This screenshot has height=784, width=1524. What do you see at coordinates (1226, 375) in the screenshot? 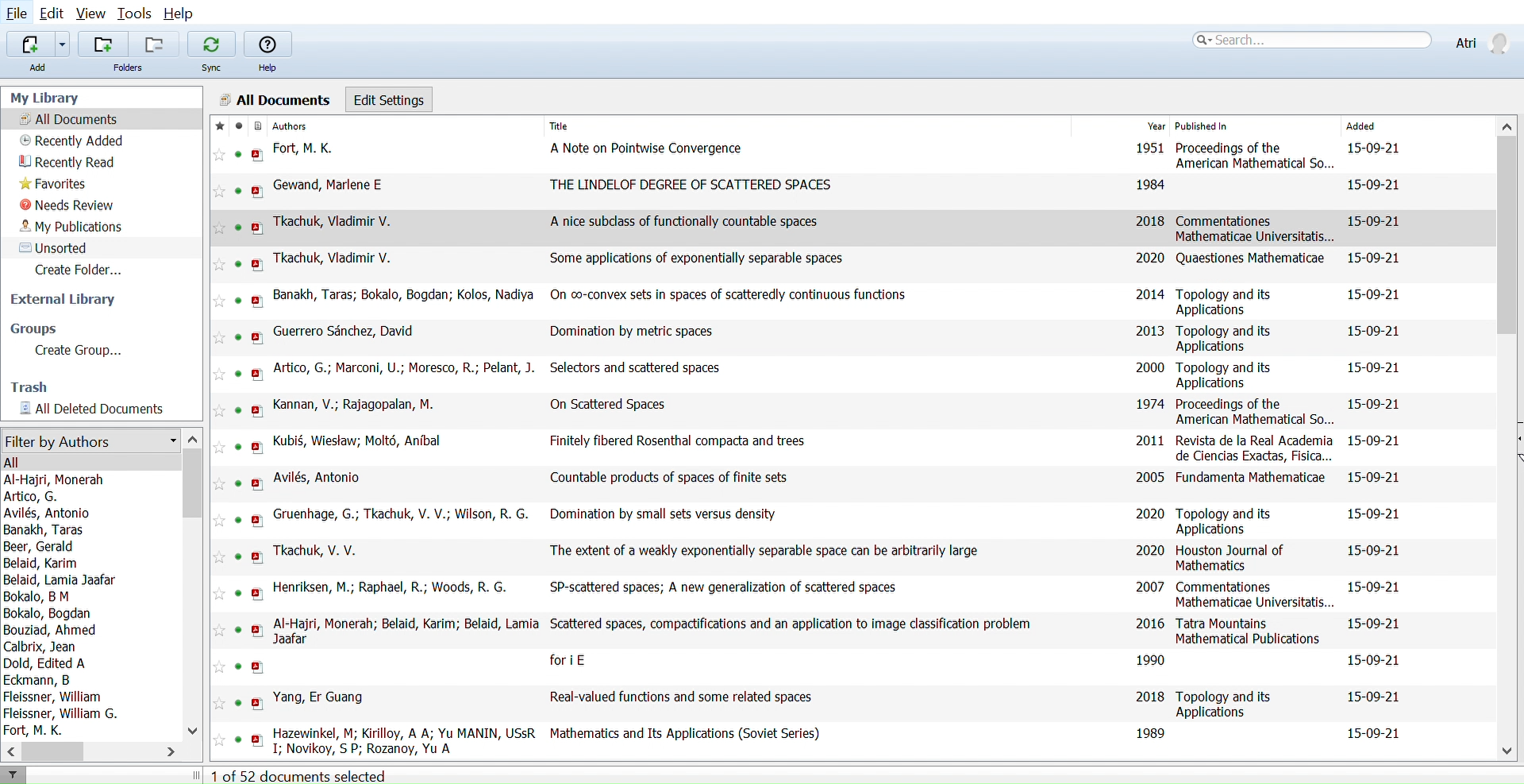
I see `Topology and its Applications` at bounding box center [1226, 375].